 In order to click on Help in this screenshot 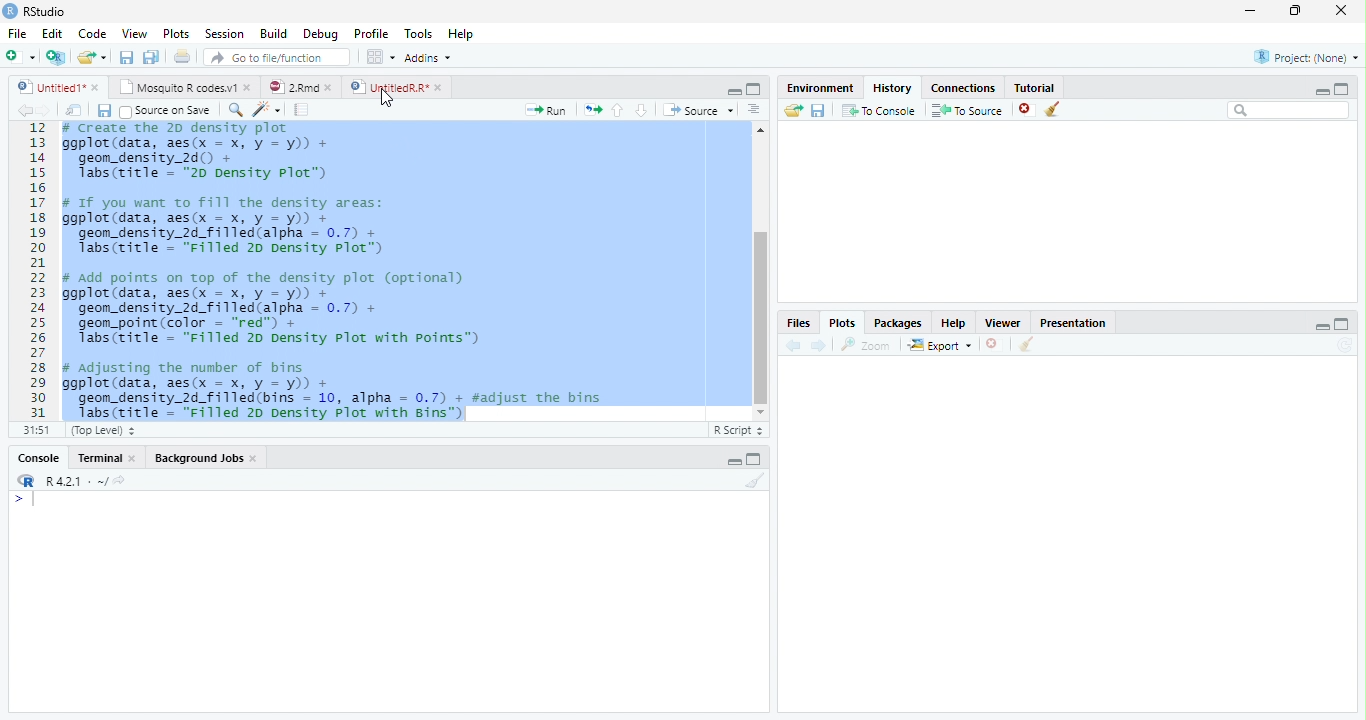, I will do `click(953, 325)`.